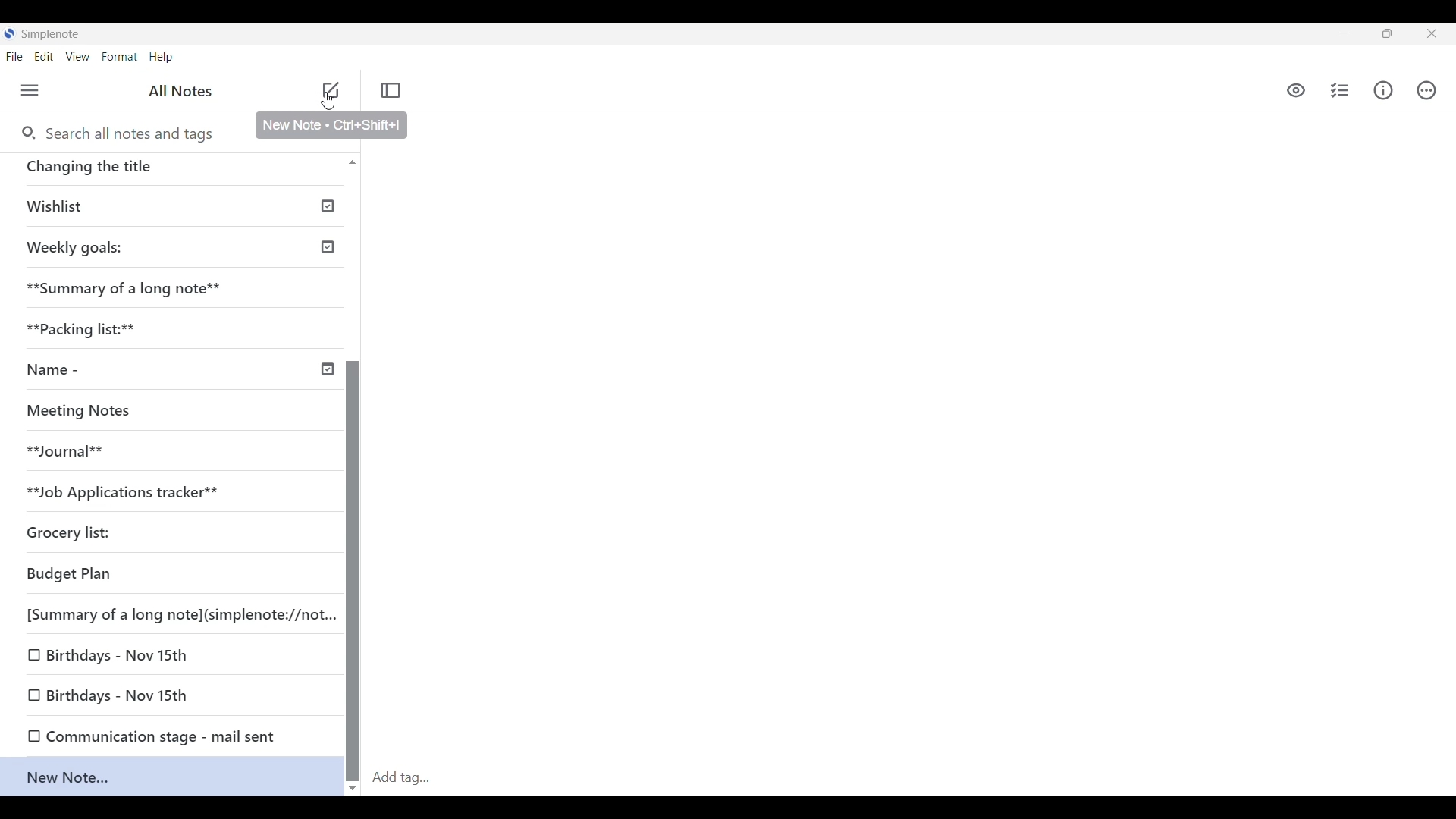 The image size is (1456, 819). Describe the element at coordinates (1428, 90) in the screenshot. I see `Actions` at that location.